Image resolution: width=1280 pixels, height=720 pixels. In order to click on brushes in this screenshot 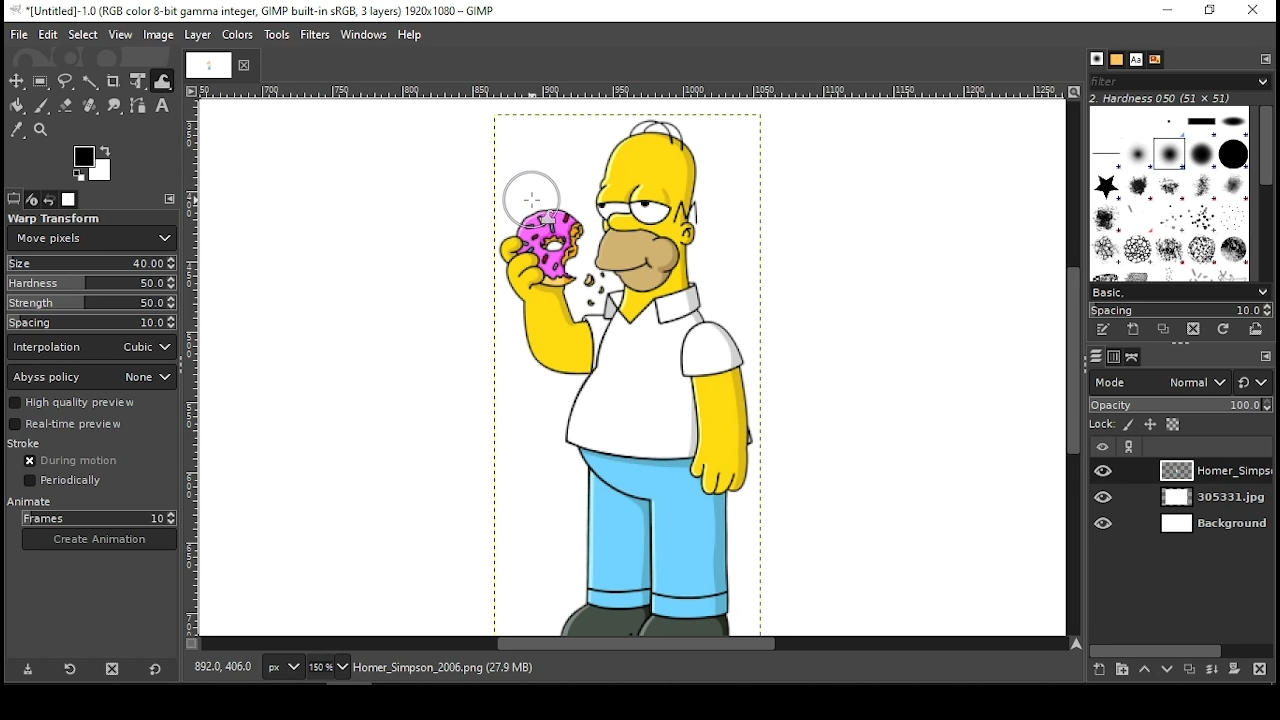, I will do `click(1171, 193)`.